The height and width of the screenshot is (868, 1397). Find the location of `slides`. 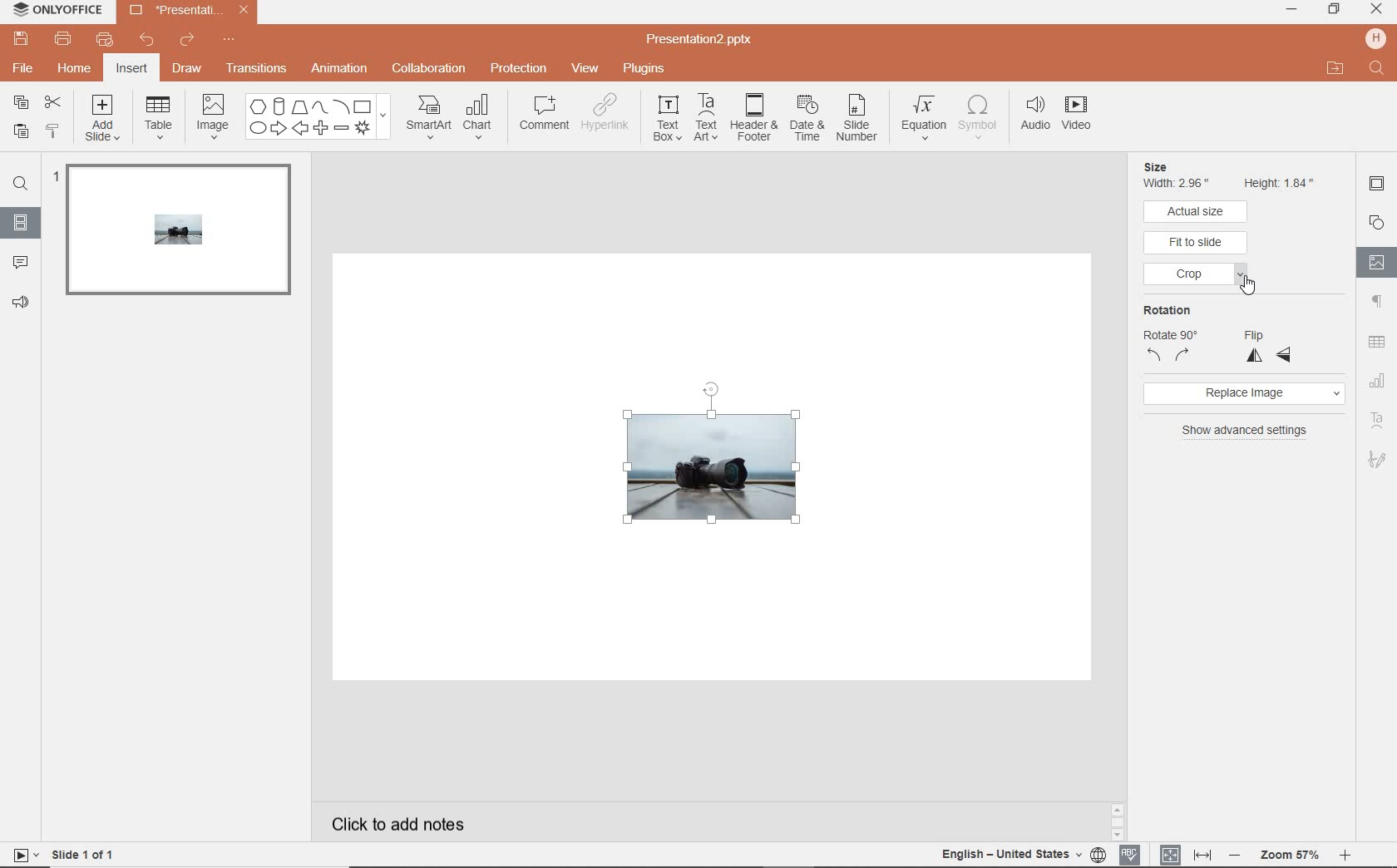

slides is located at coordinates (20, 223).